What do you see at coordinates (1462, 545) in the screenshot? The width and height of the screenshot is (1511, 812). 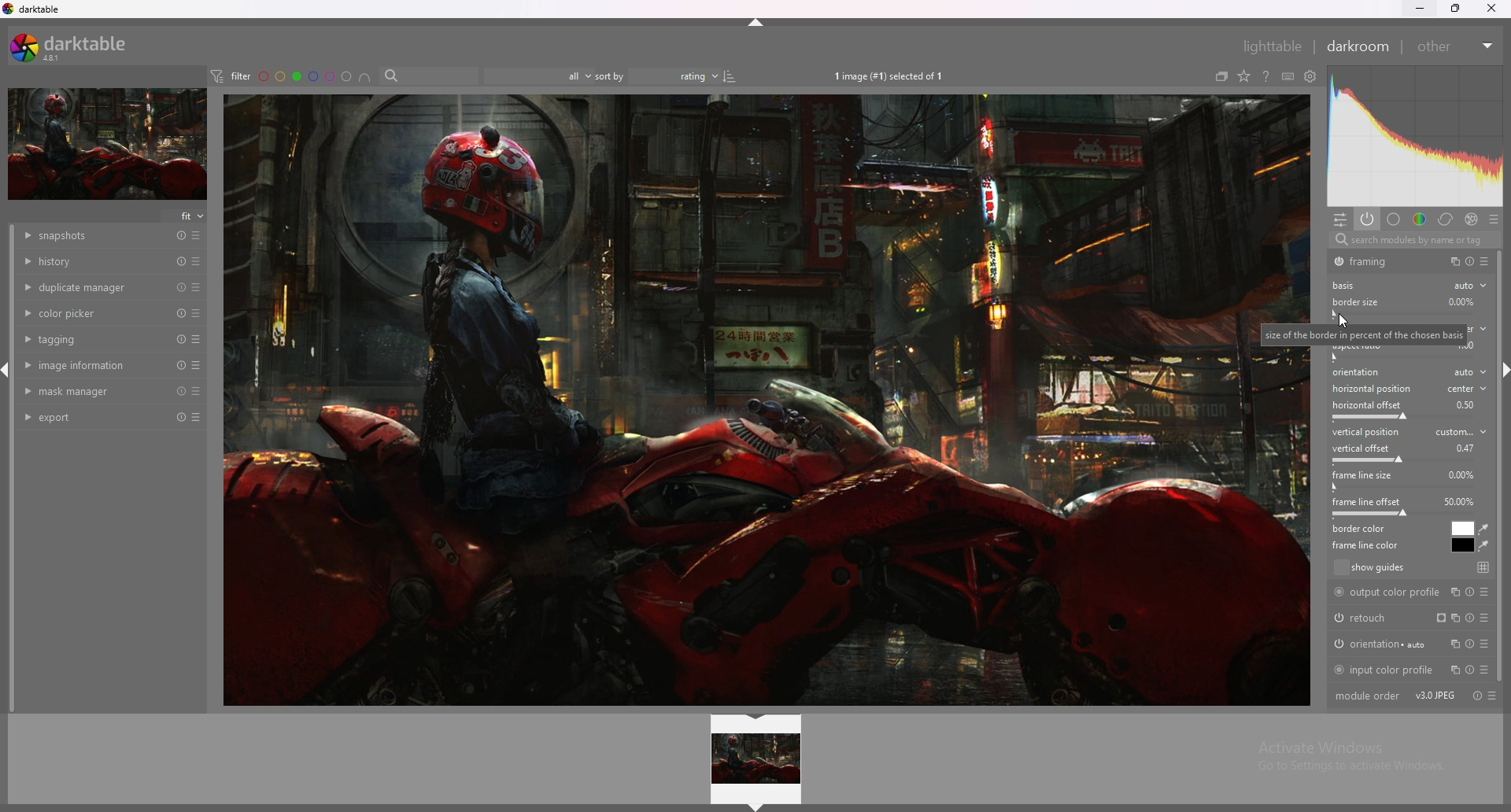 I see `frame line color` at bounding box center [1462, 545].